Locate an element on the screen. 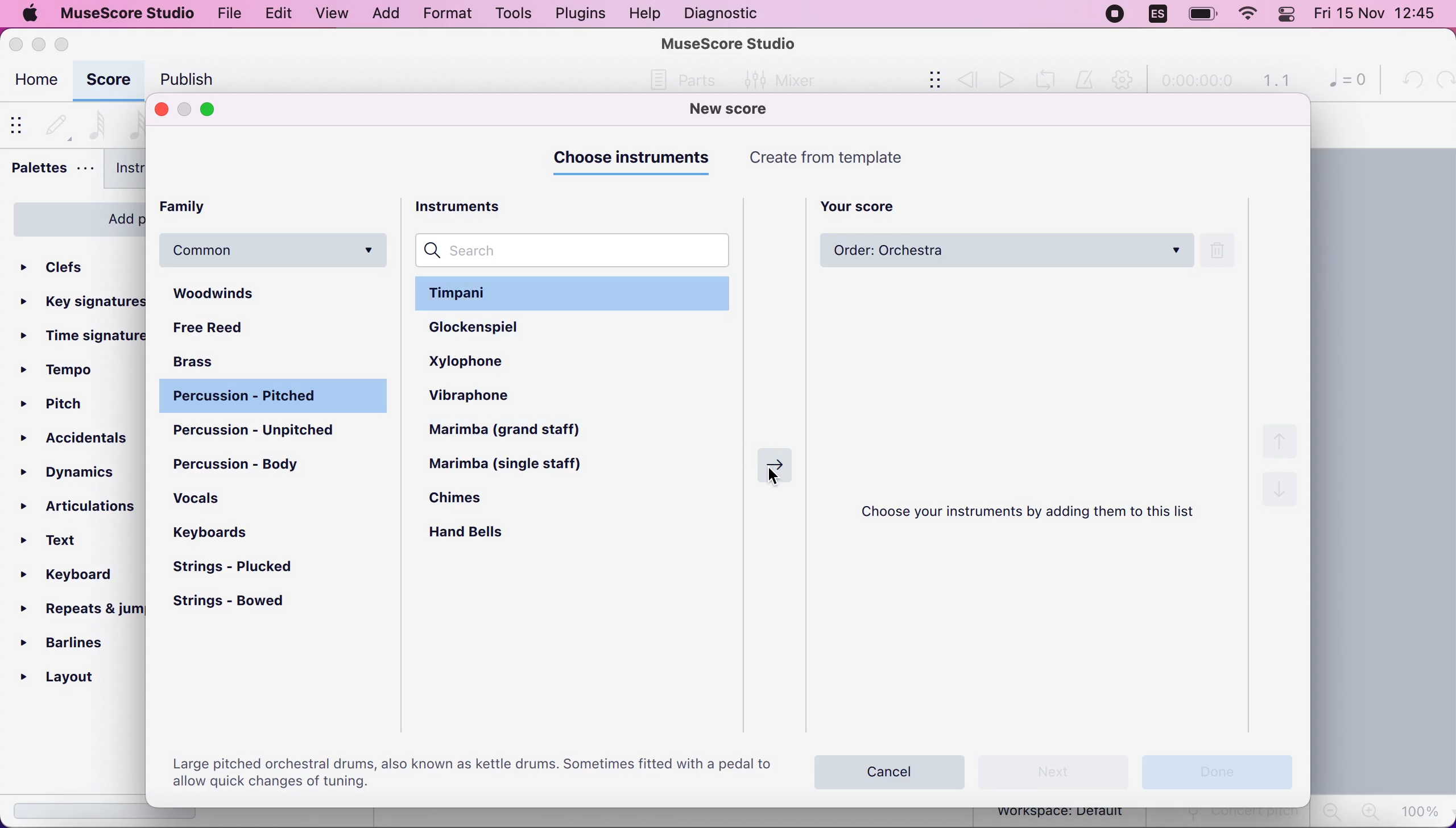 The width and height of the screenshot is (1456, 828). marimba (grand staff) is located at coordinates (520, 431).